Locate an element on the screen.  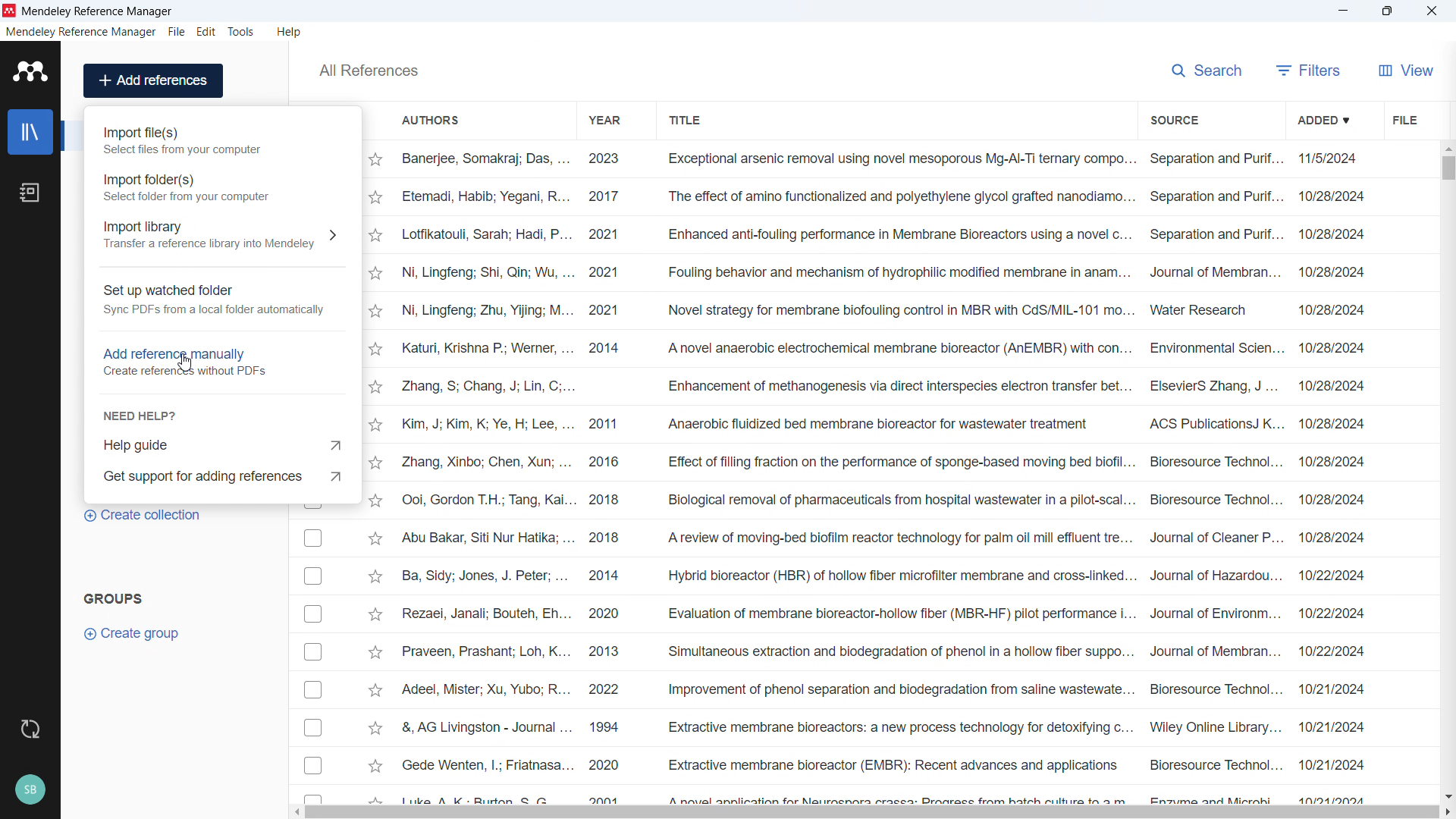
Sort by title  is located at coordinates (687, 118).